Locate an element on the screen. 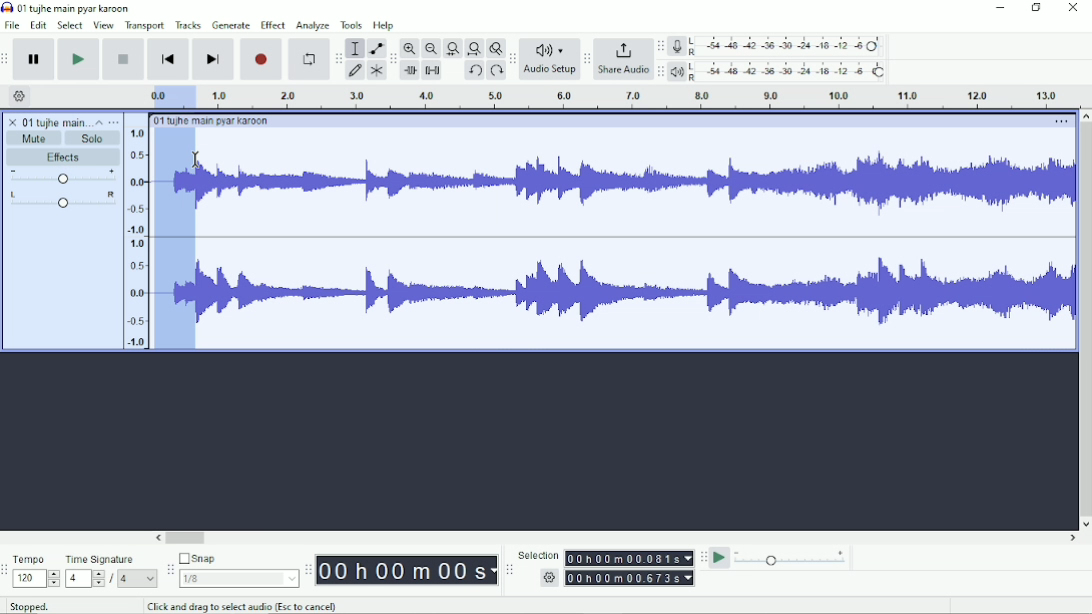 This screenshot has width=1092, height=614. Redo is located at coordinates (496, 72).